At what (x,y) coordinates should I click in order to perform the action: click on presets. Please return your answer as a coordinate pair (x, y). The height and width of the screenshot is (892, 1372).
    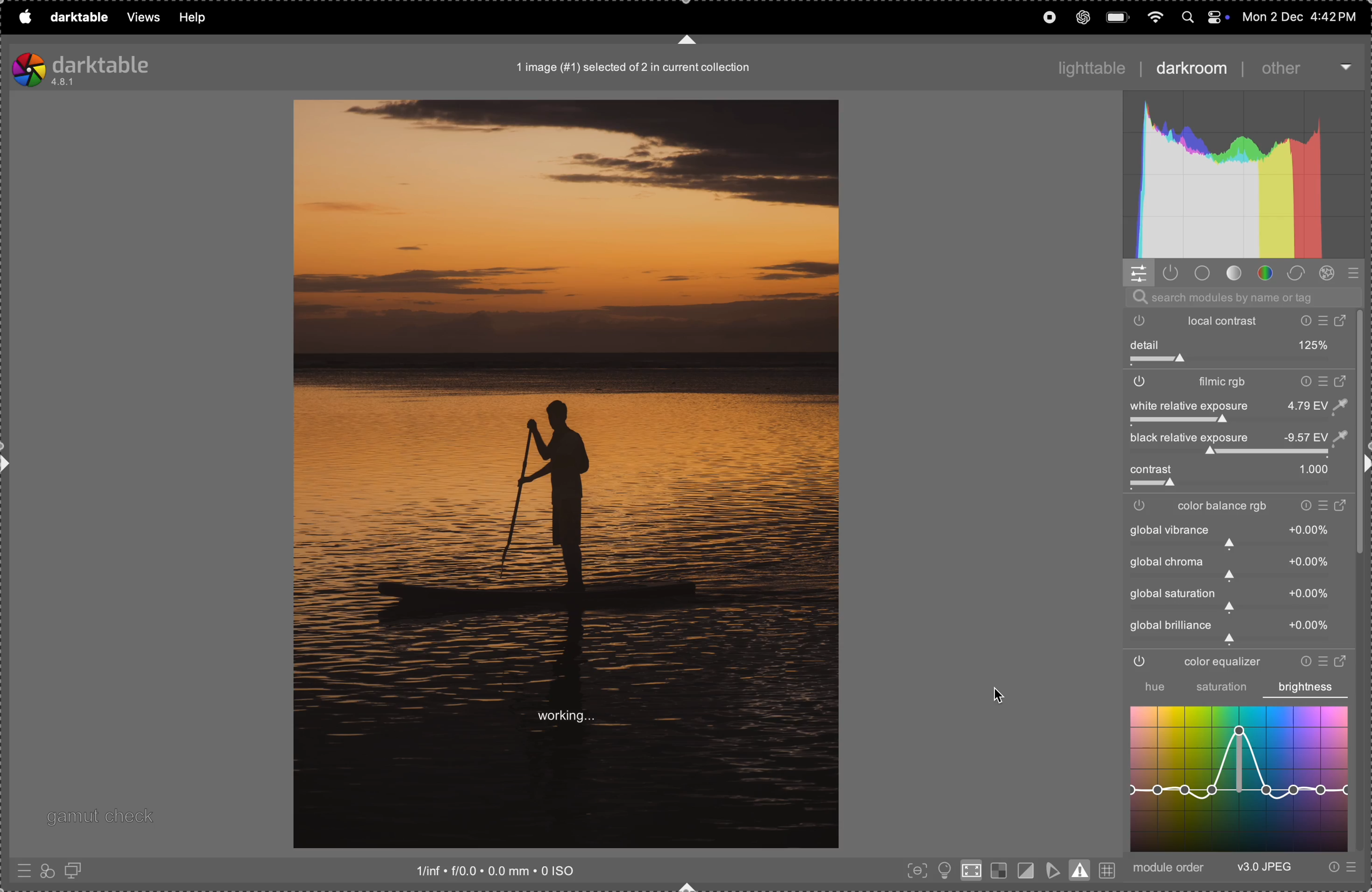
    Looking at the image, I should click on (1340, 868).